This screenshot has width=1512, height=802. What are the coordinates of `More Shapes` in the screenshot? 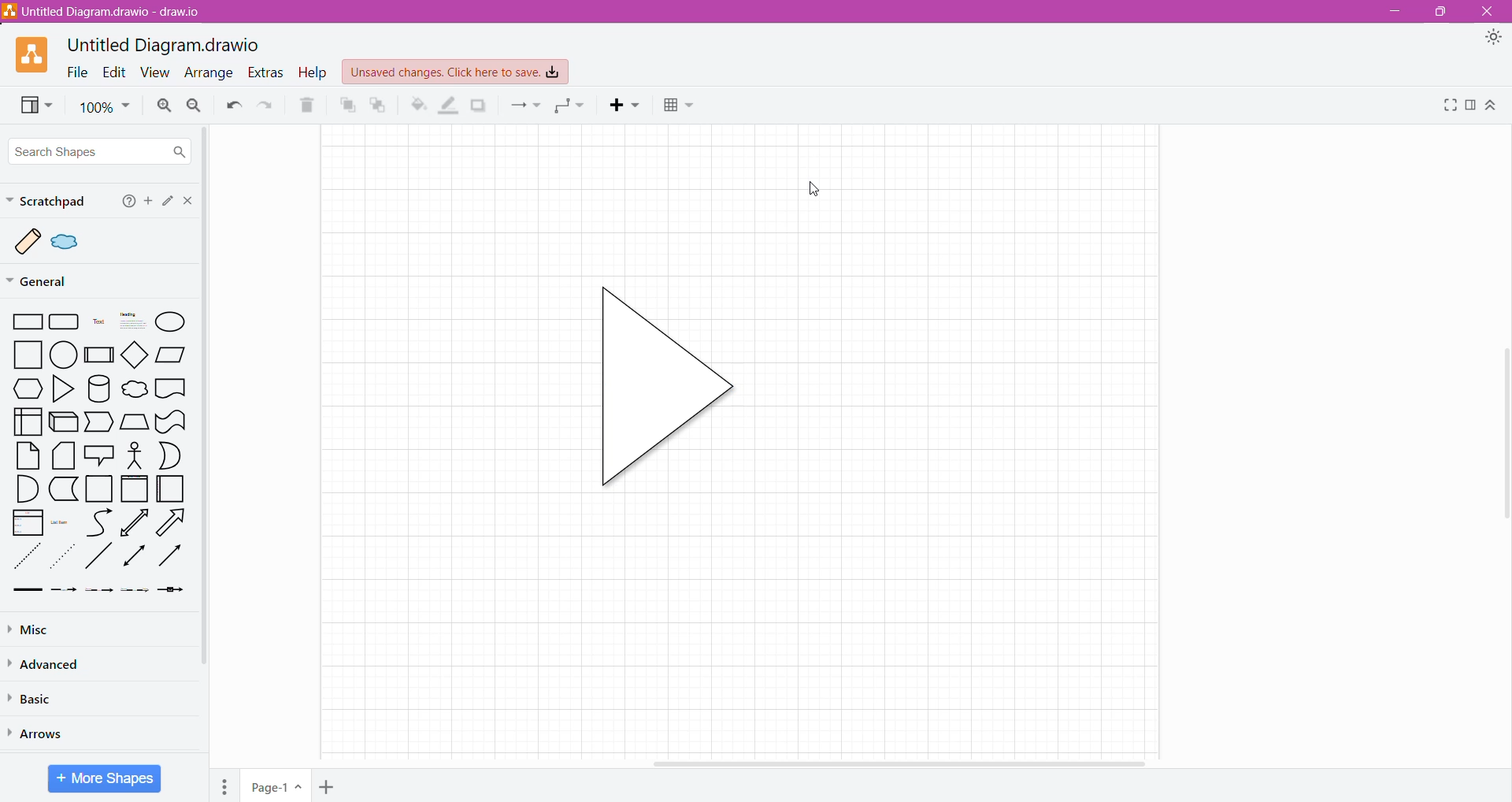 It's located at (105, 778).